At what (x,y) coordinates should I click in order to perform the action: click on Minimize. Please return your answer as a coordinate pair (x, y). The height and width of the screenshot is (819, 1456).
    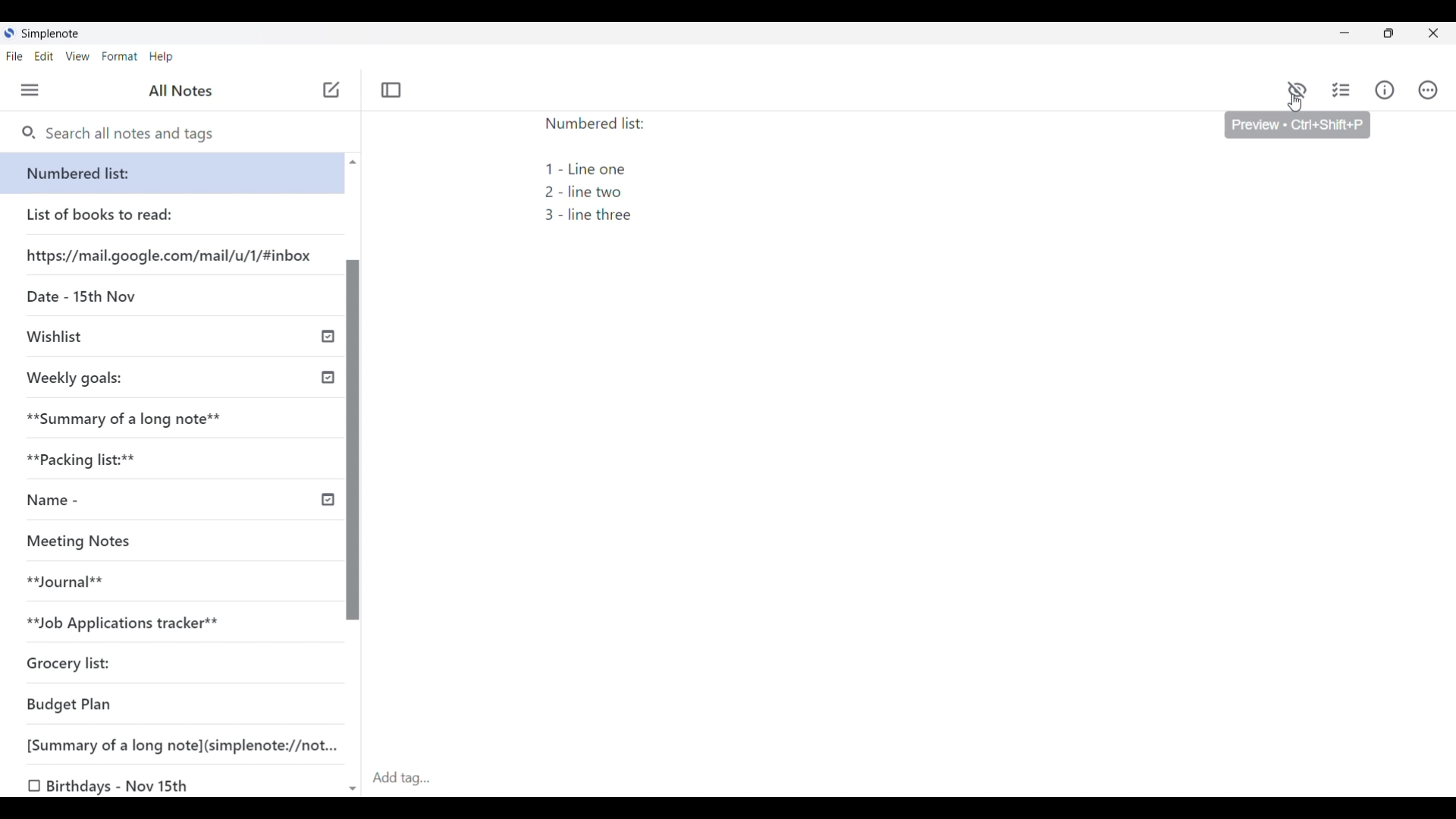
    Looking at the image, I should click on (1345, 33).